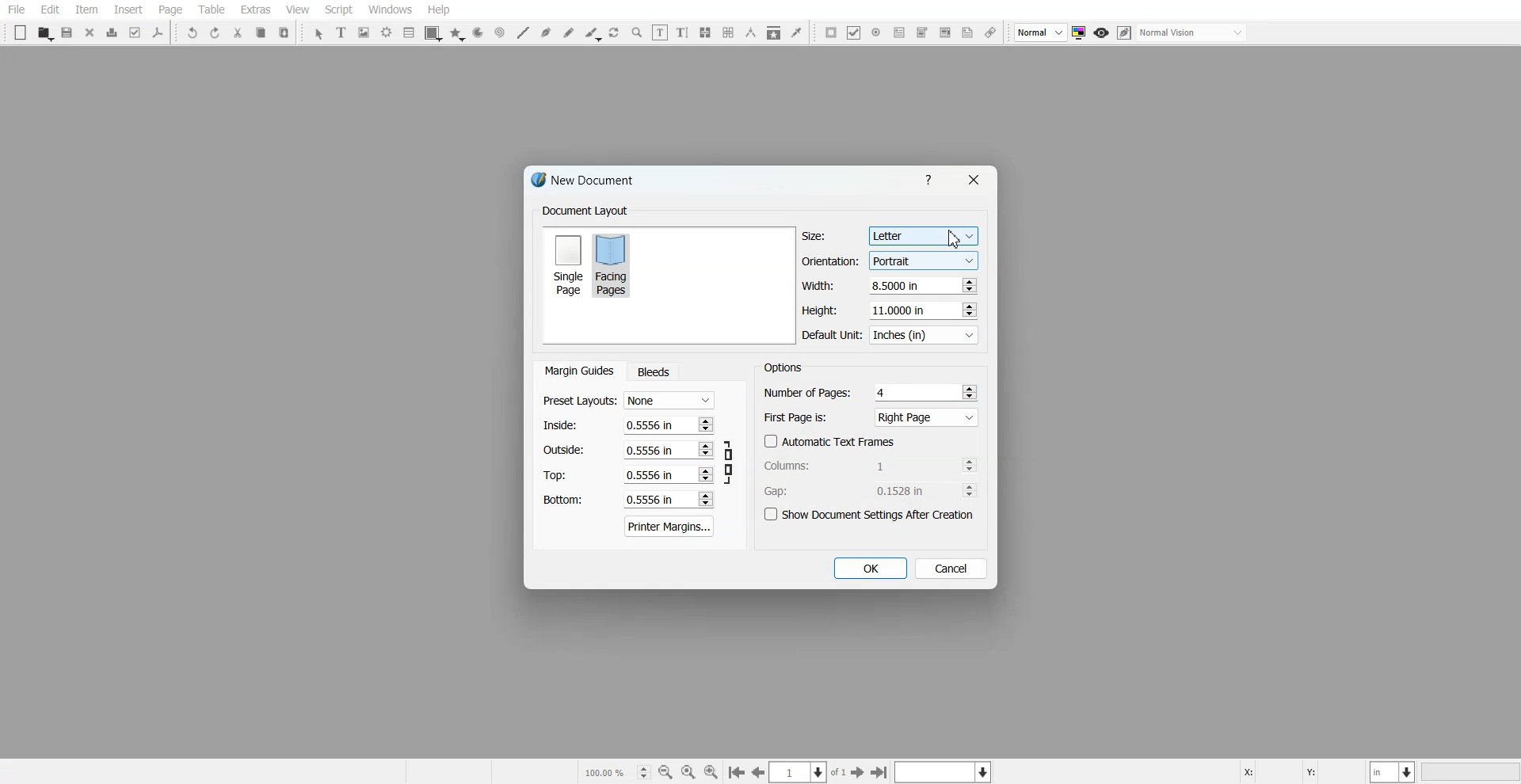 The height and width of the screenshot is (784, 1521). Describe the element at coordinates (339, 10) in the screenshot. I see `Script` at that location.